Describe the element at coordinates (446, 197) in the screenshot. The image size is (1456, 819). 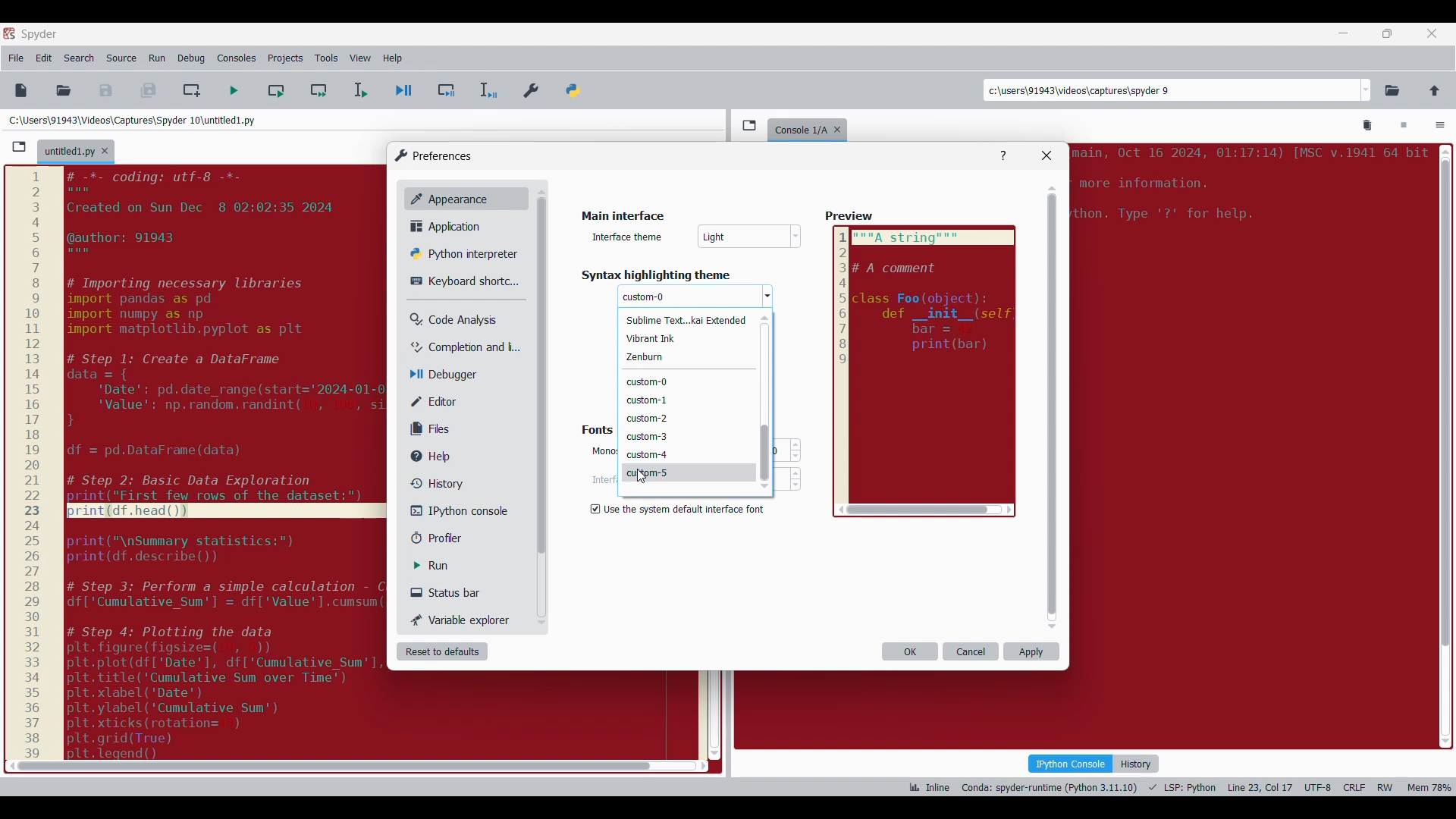
I see `Appearance, current selection highlighted` at that location.